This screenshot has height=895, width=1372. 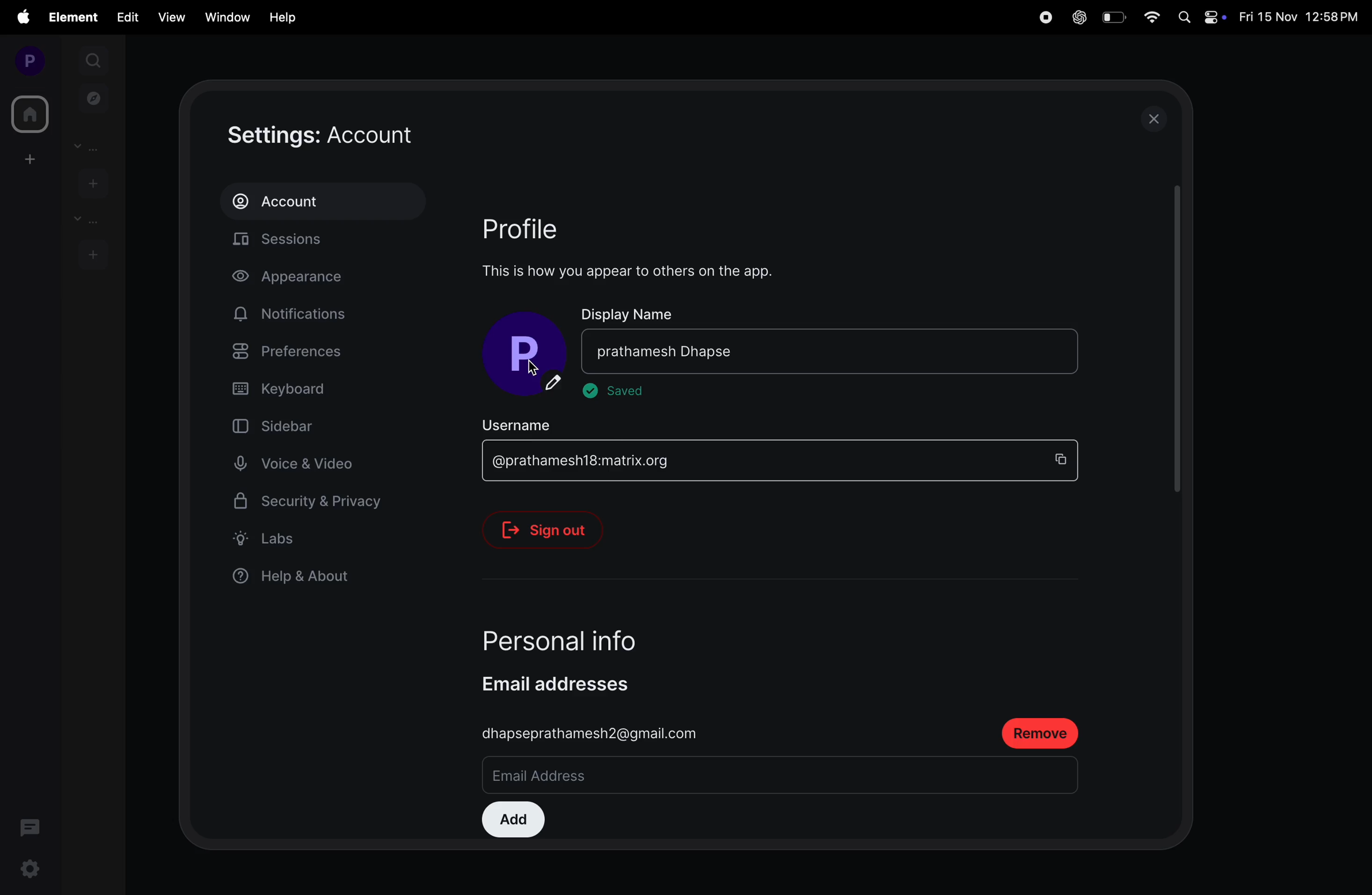 I want to click on record, so click(x=1043, y=17).